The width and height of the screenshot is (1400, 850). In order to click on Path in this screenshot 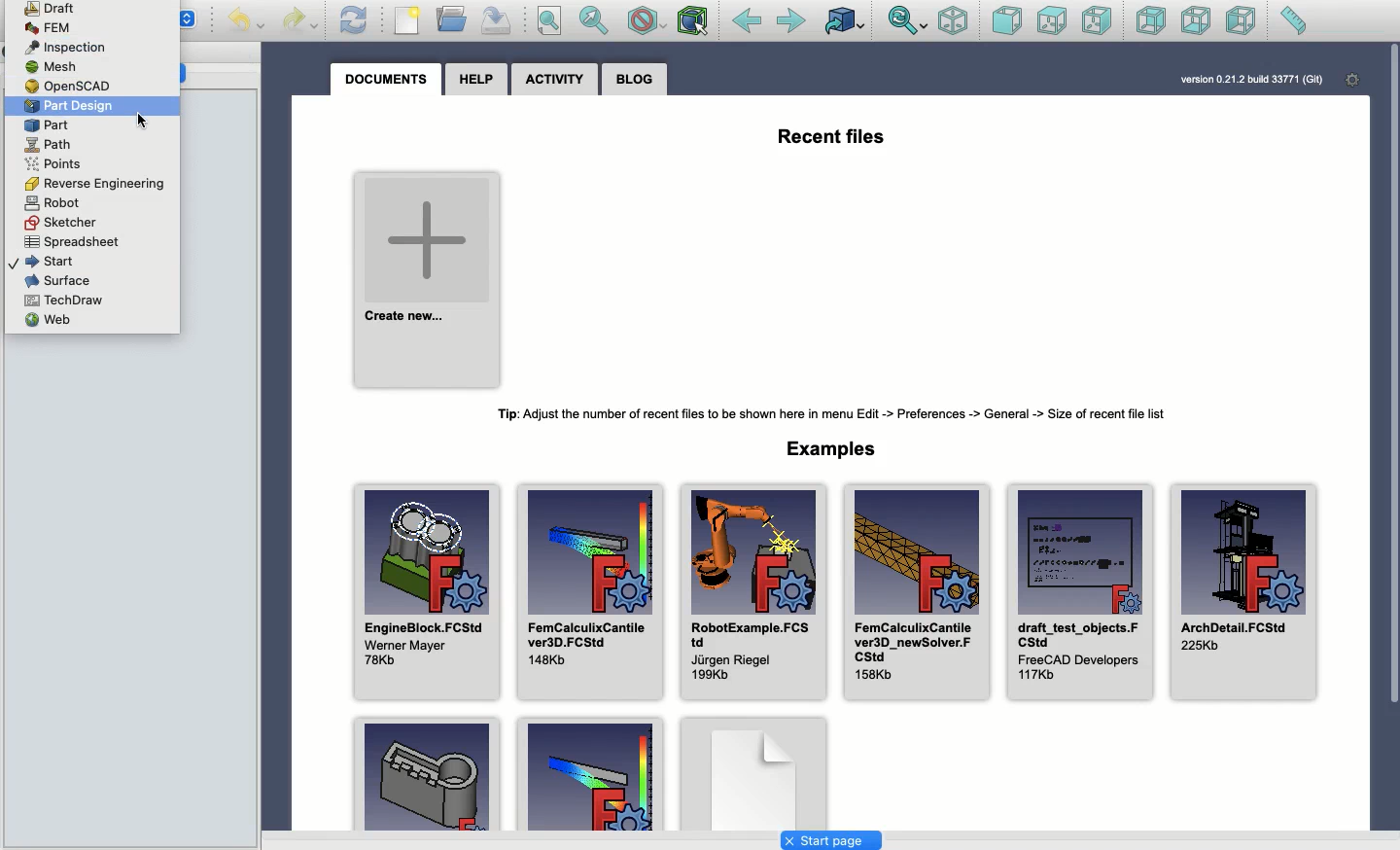, I will do `click(48, 144)`.